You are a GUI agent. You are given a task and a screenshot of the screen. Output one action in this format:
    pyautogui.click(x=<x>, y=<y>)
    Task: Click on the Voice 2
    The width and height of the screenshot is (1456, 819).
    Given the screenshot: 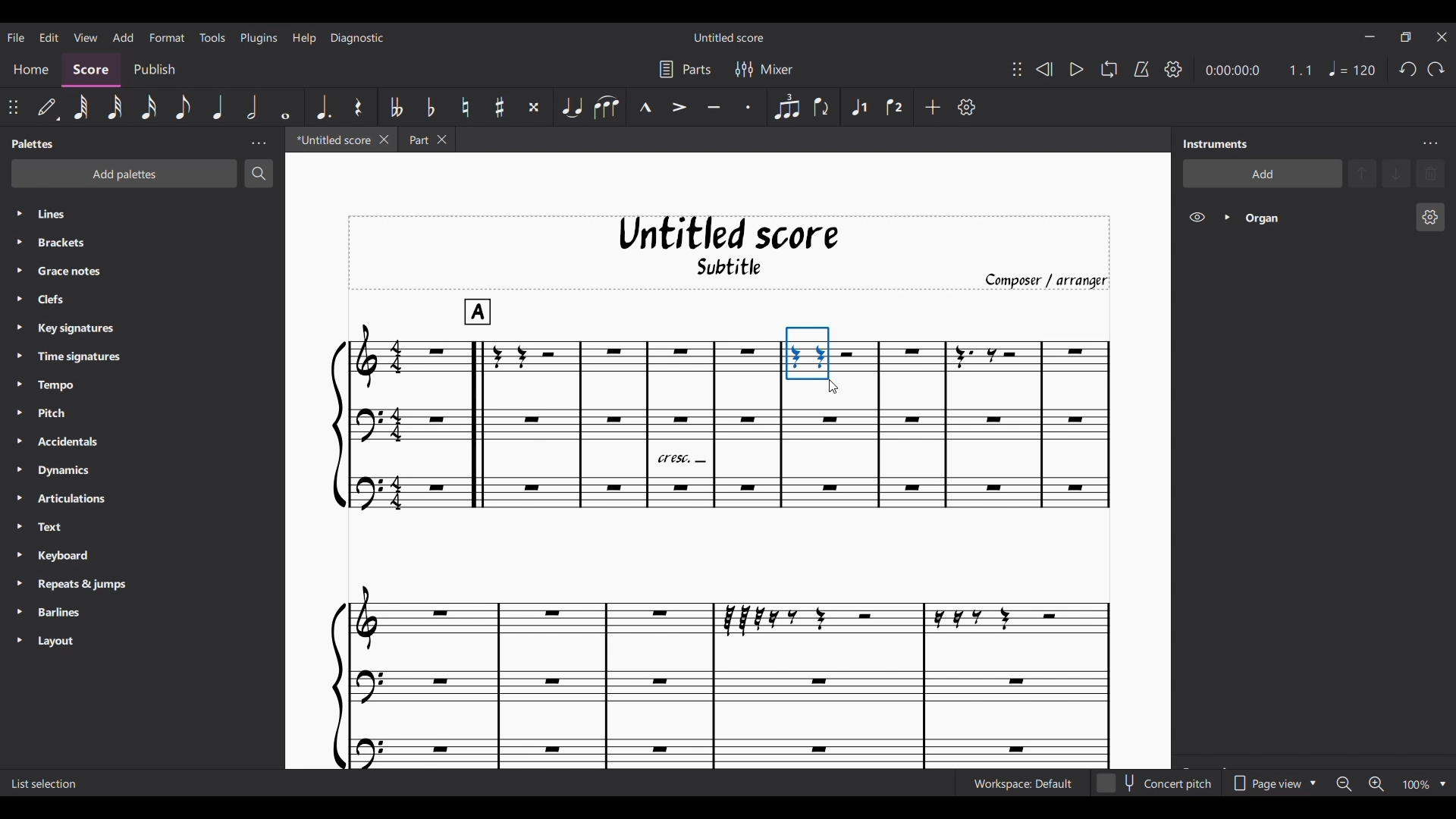 What is the action you would take?
    pyautogui.click(x=895, y=107)
    